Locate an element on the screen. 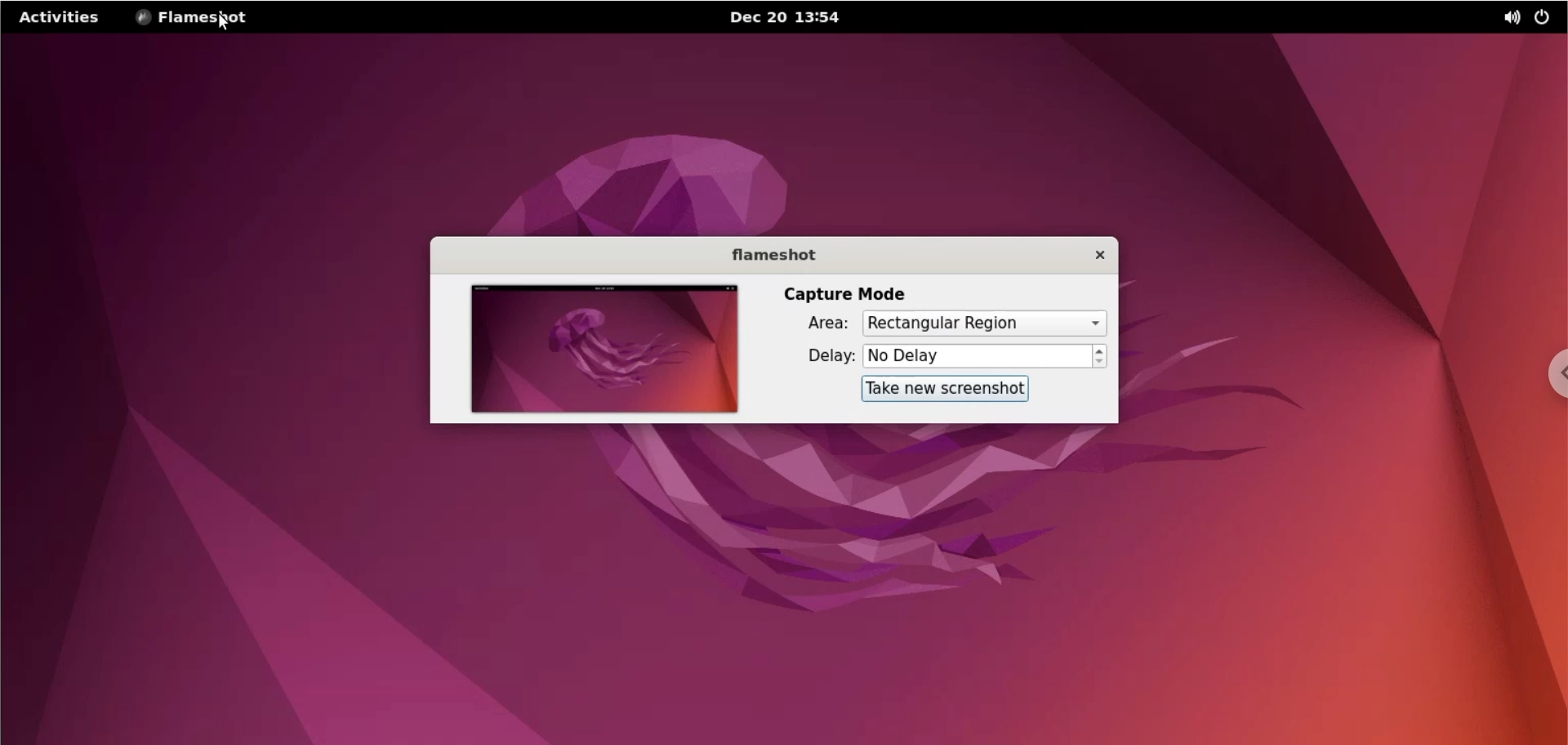 Image resolution: width=1568 pixels, height=745 pixels. delay options is located at coordinates (976, 356).